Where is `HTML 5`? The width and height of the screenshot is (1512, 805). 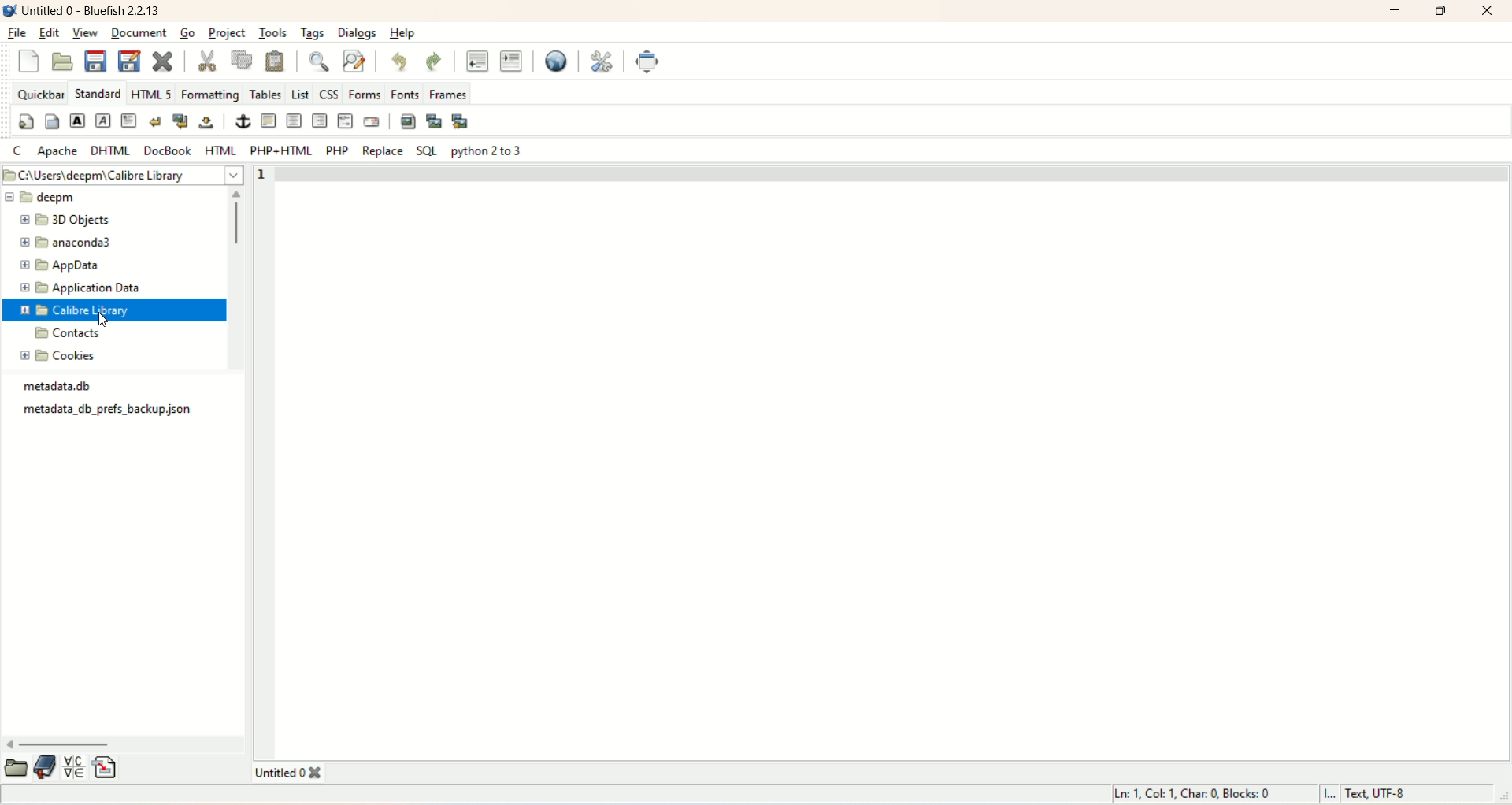
HTML 5 is located at coordinates (152, 93).